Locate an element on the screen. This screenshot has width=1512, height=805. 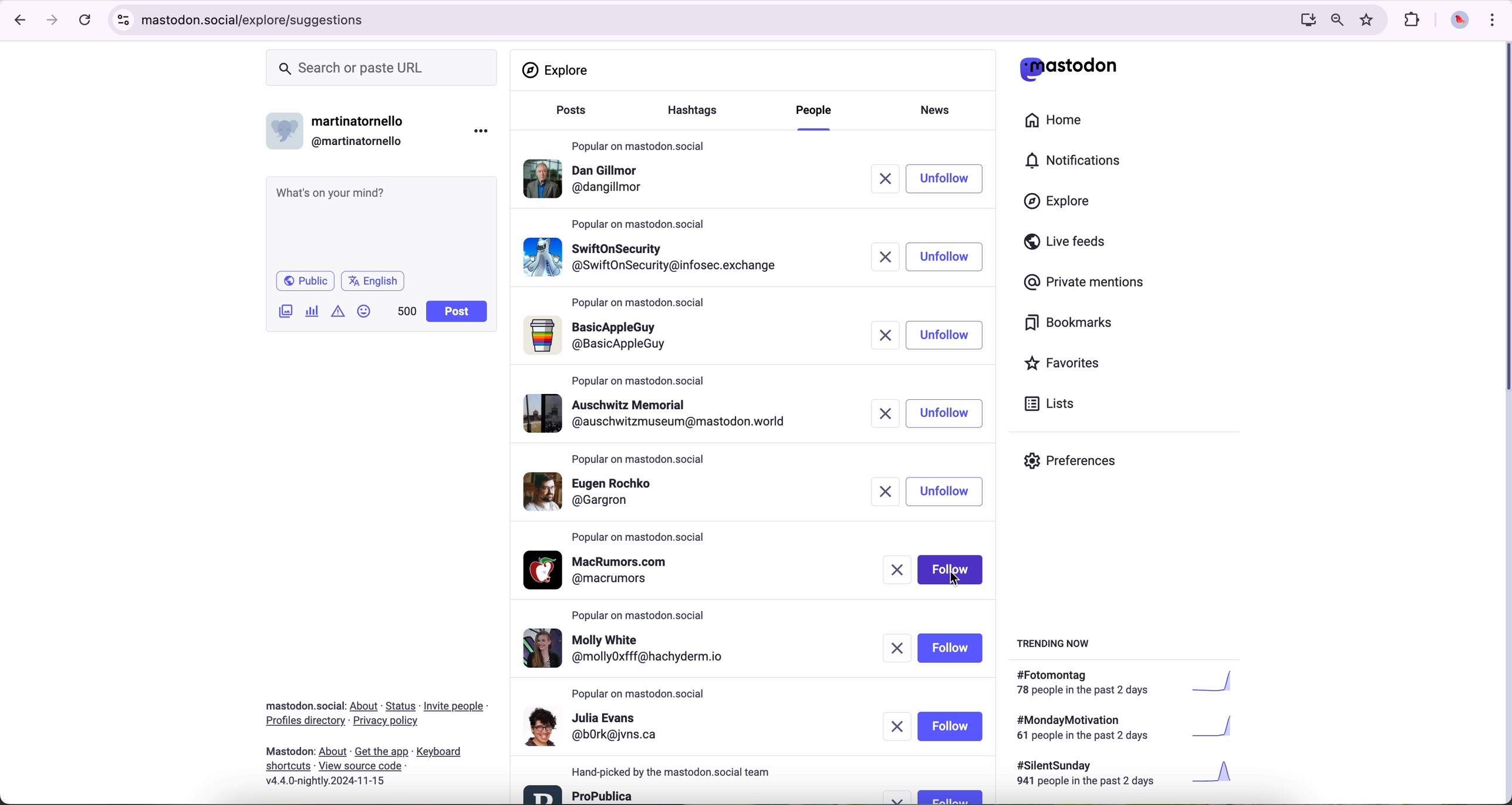
profile is located at coordinates (635, 649).